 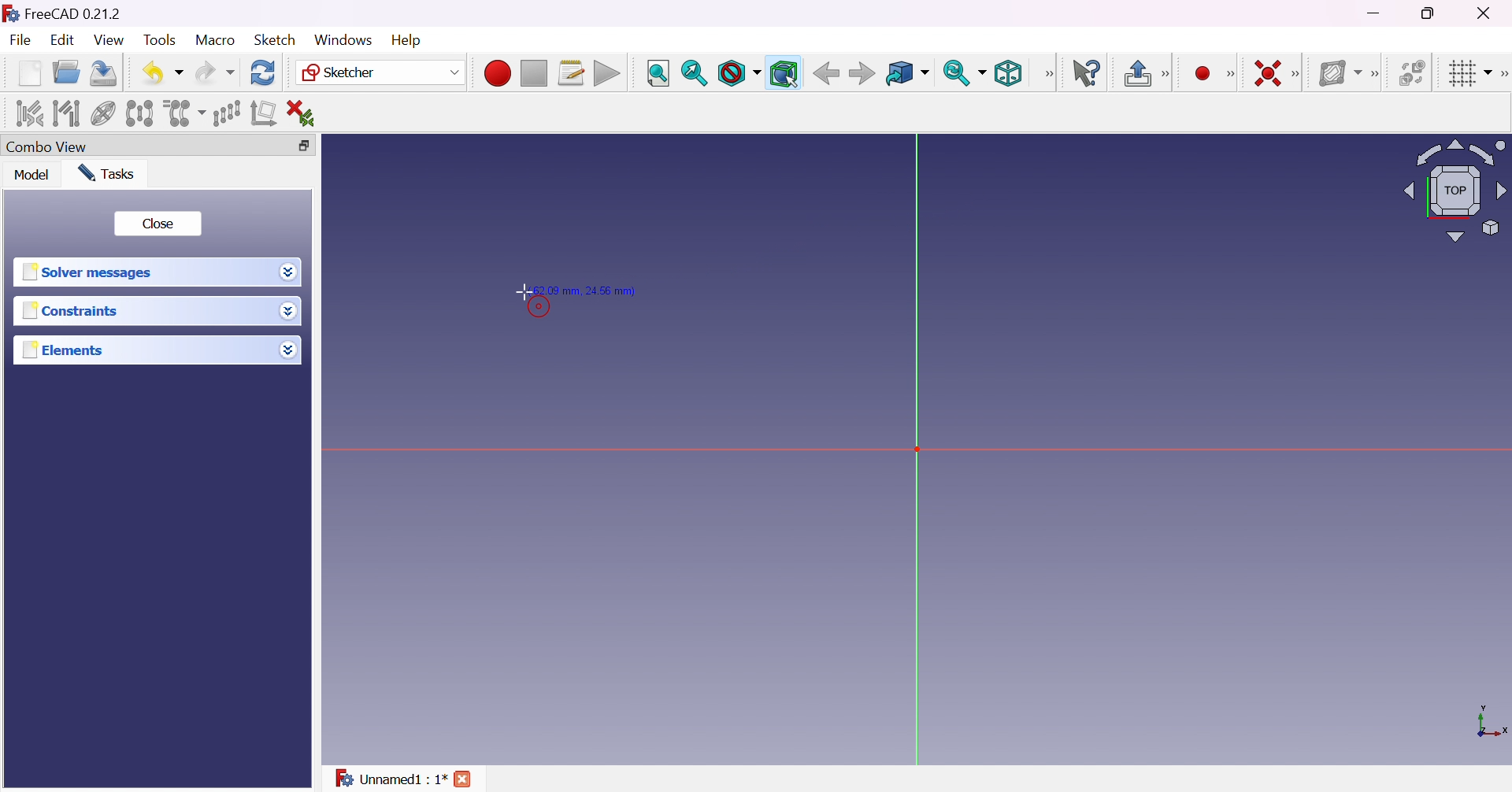 What do you see at coordinates (27, 113) in the screenshot?
I see `Select associated constraints` at bounding box center [27, 113].